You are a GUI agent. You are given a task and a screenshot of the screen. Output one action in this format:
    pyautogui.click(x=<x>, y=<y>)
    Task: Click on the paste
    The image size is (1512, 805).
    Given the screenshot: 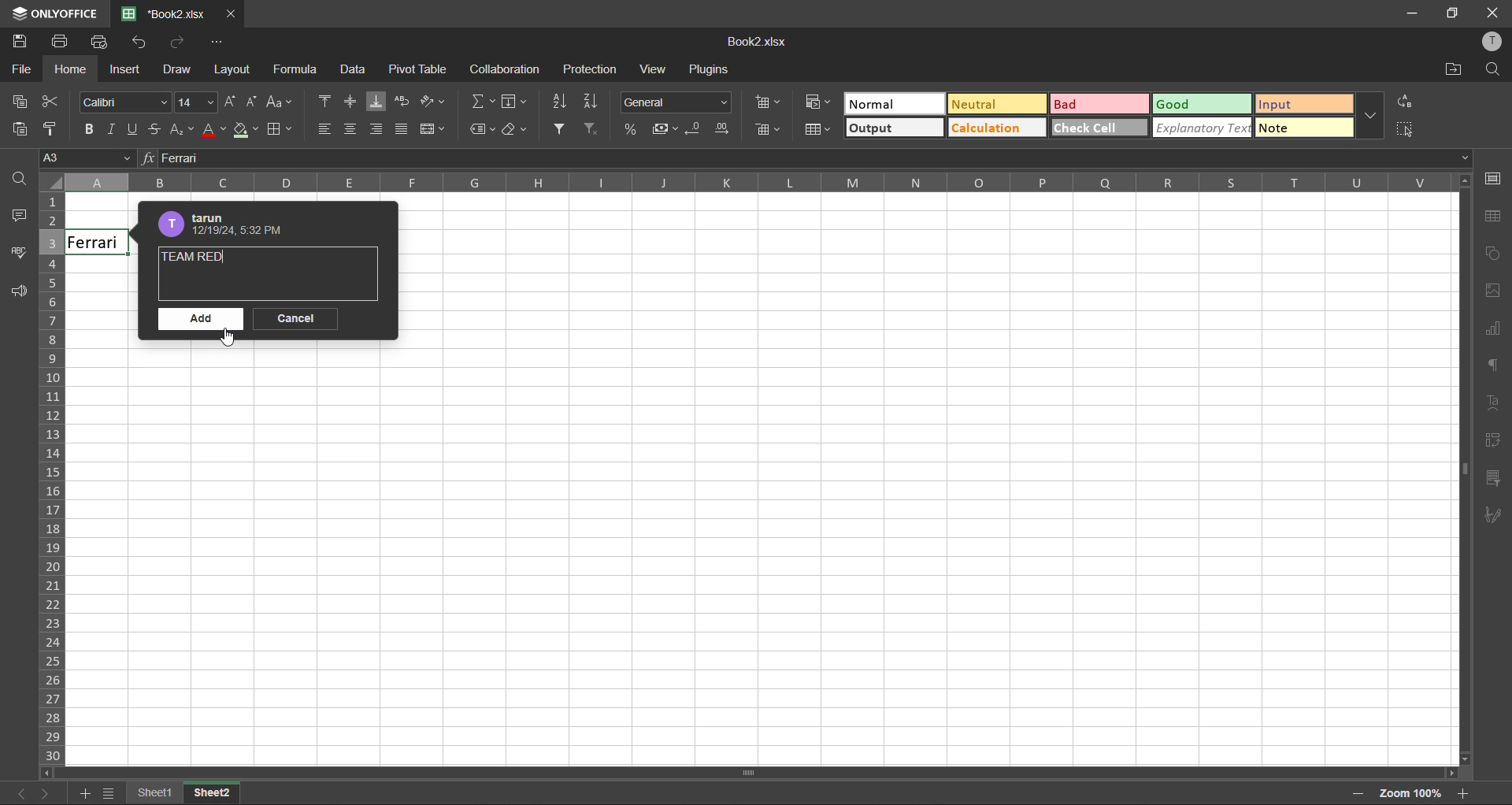 What is the action you would take?
    pyautogui.click(x=16, y=128)
    